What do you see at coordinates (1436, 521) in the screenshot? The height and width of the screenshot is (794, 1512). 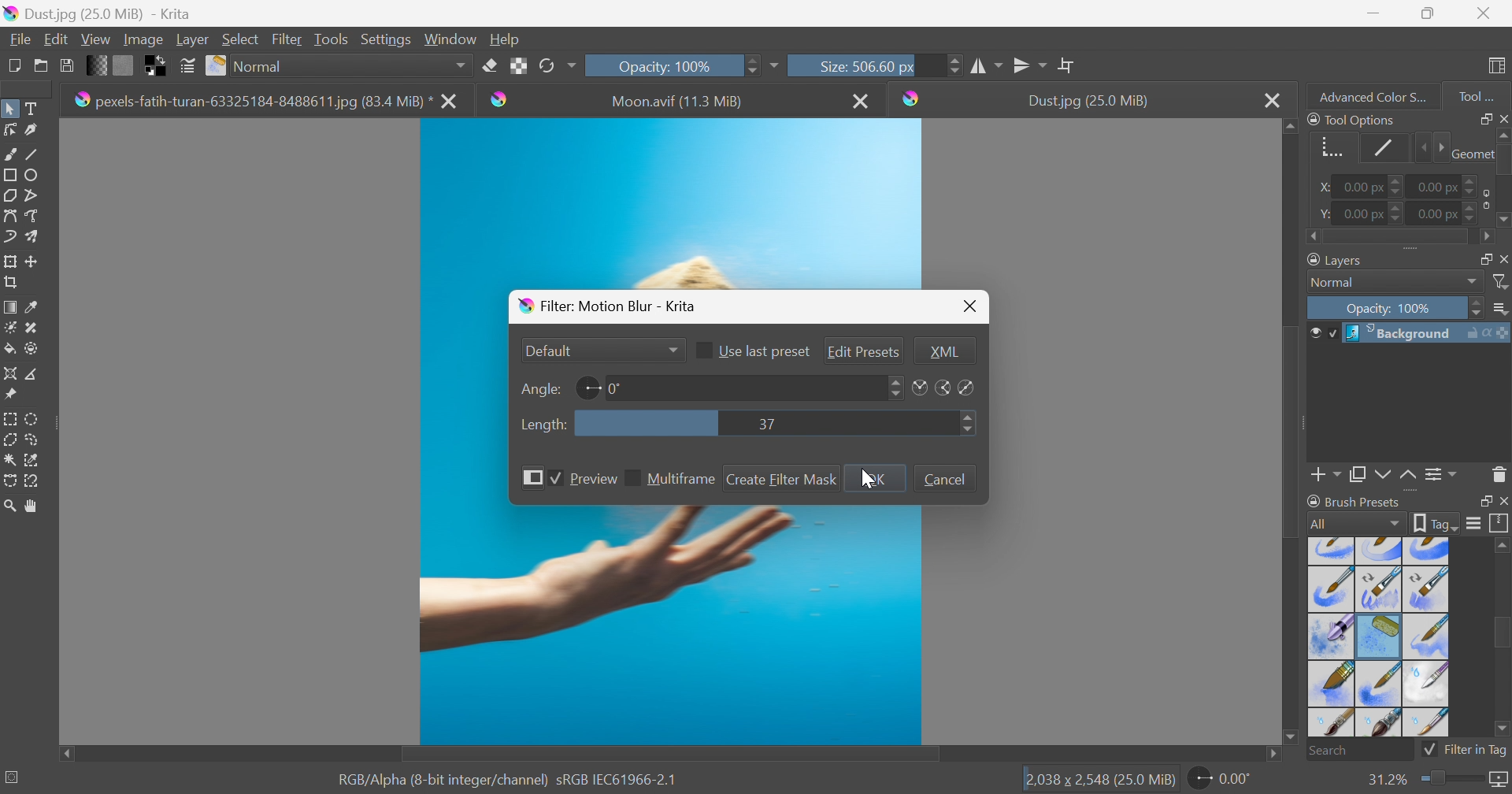 I see `Show the tag box options` at bounding box center [1436, 521].